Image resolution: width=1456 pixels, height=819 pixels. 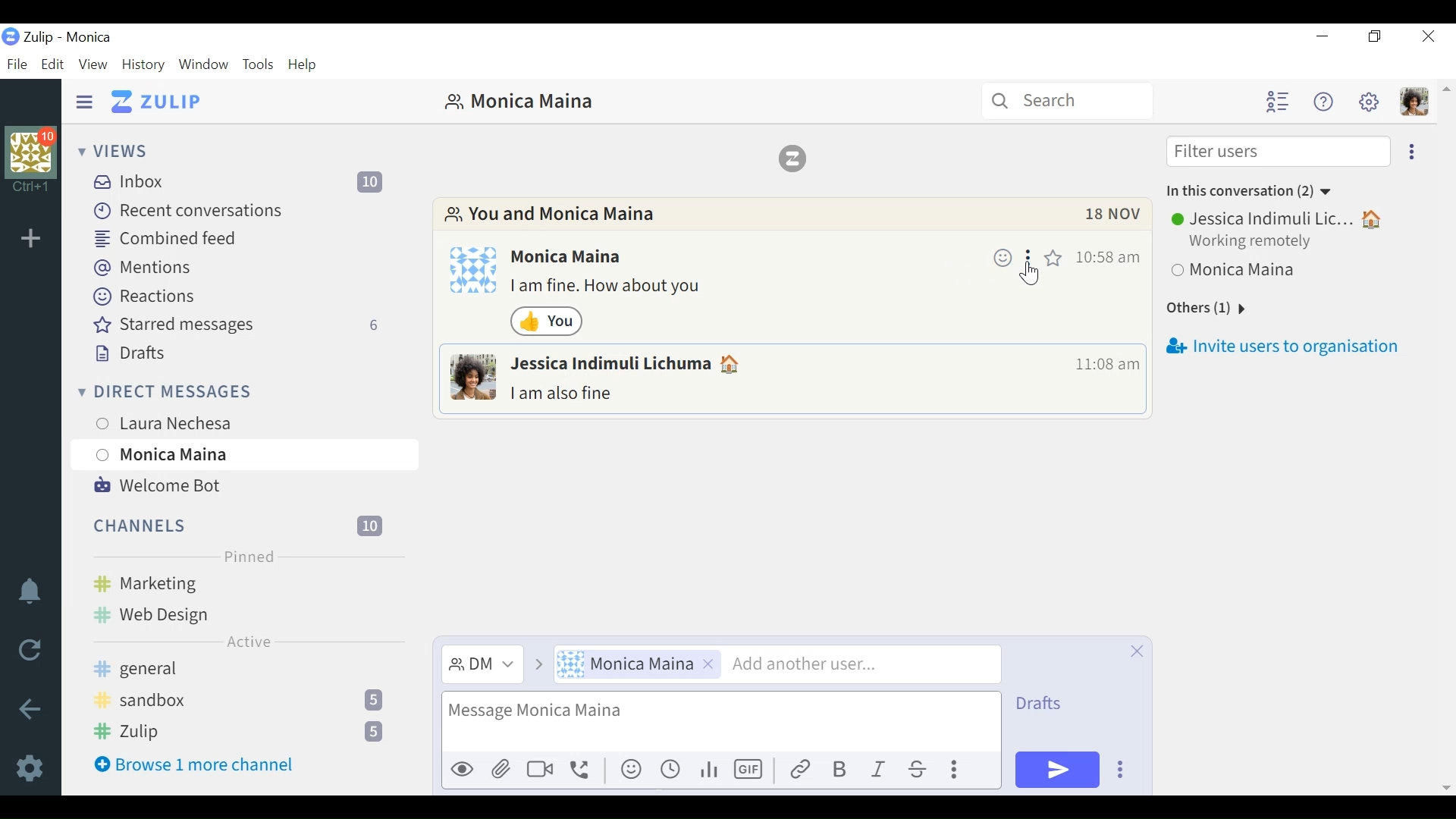 I want to click on Active, so click(x=249, y=642).